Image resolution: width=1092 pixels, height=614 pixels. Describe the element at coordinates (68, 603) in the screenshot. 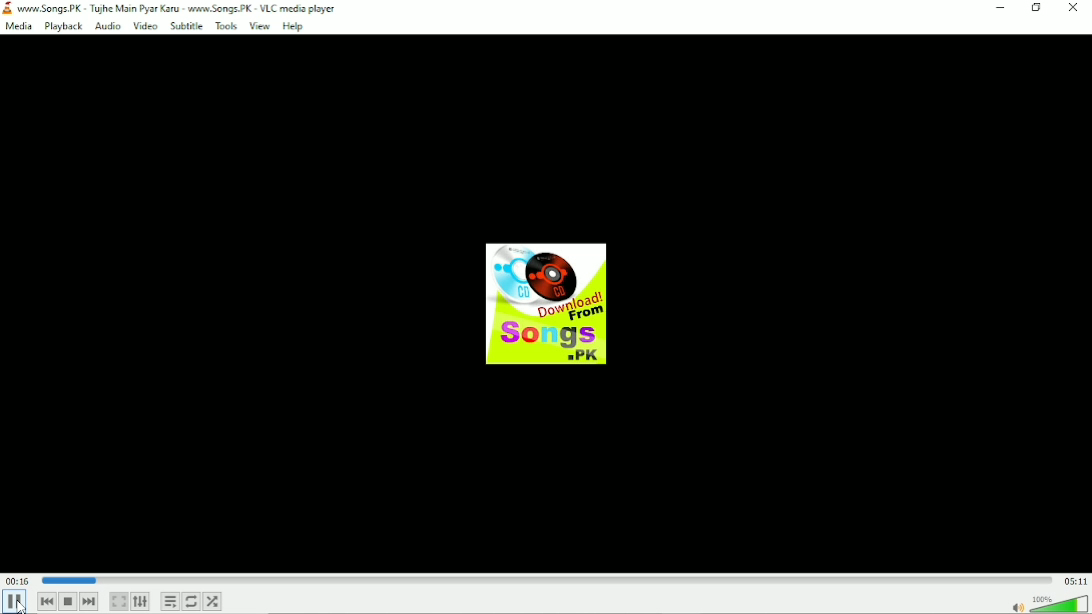

I see `Stop playback` at that location.